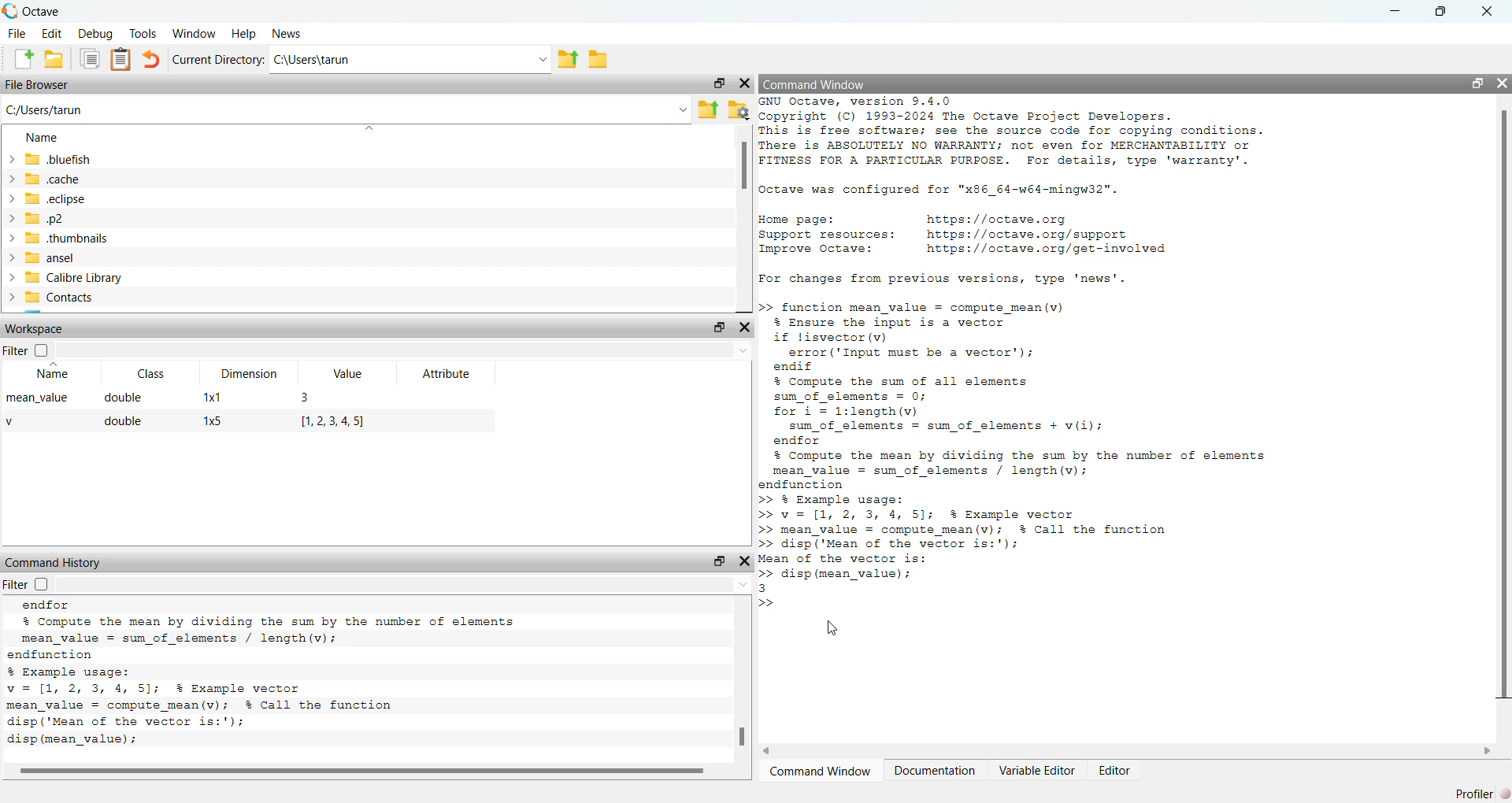 This screenshot has height=803, width=1512. What do you see at coordinates (1038, 770) in the screenshot?
I see `Variable Editor` at bounding box center [1038, 770].